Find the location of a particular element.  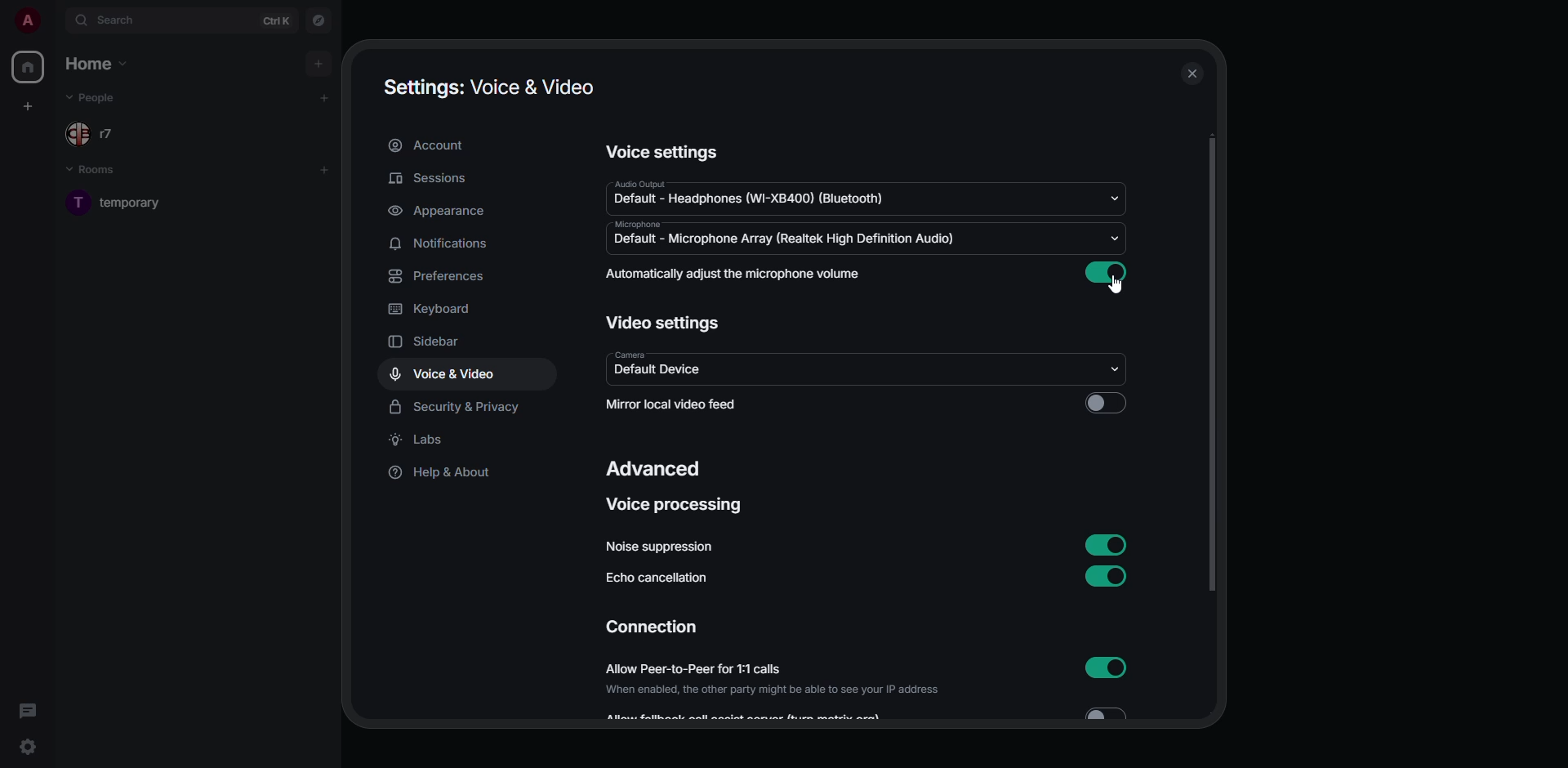

ctrl K is located at coordinates (276, 21).